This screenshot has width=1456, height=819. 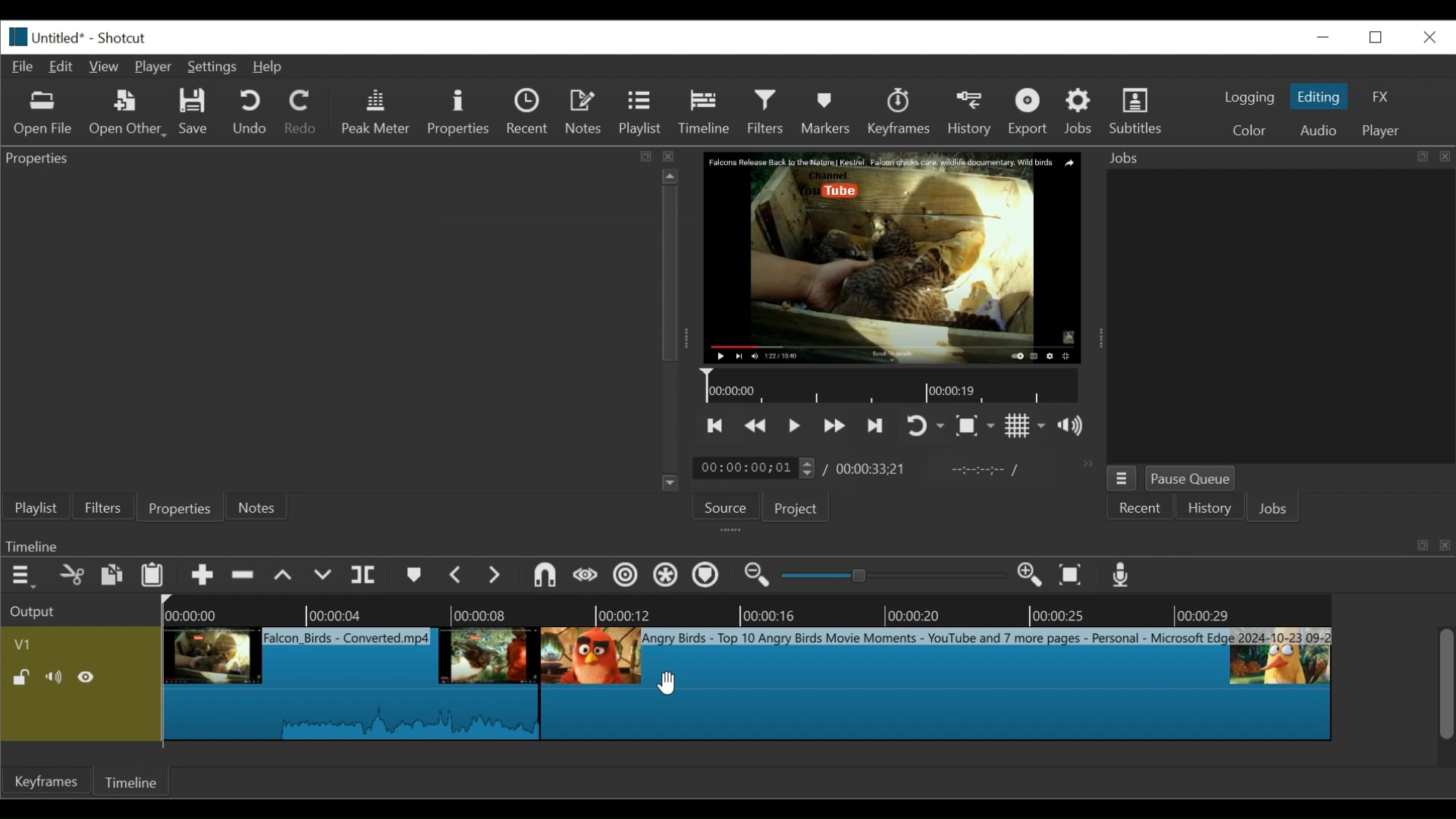 I want to click on Ripple Delete, so click(x=243, y=576).